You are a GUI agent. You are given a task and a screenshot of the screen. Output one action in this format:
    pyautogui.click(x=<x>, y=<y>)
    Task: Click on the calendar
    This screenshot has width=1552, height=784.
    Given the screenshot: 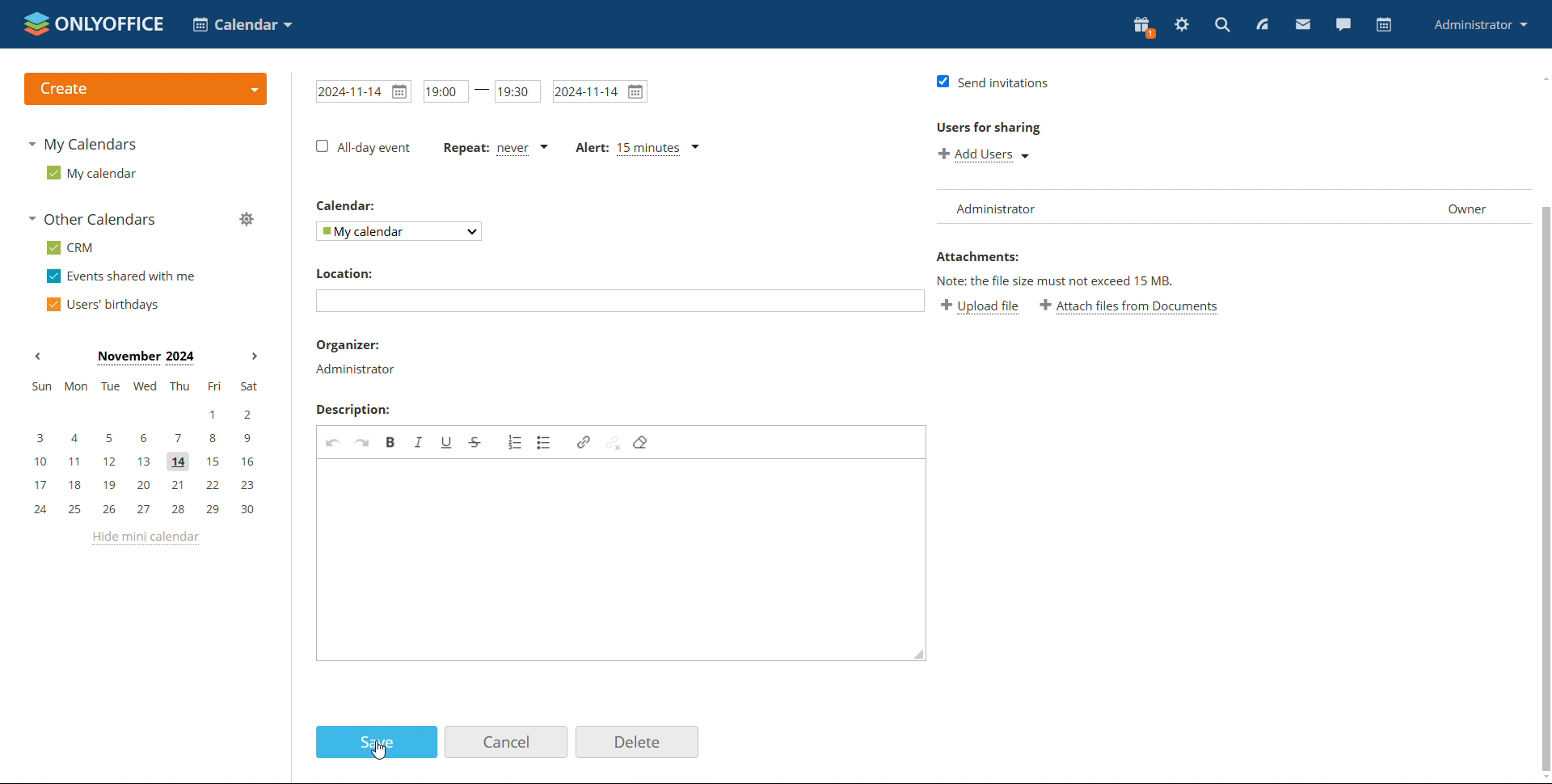 What is the action you would take?
    pyautogui.click(x=1385, y=25)
    